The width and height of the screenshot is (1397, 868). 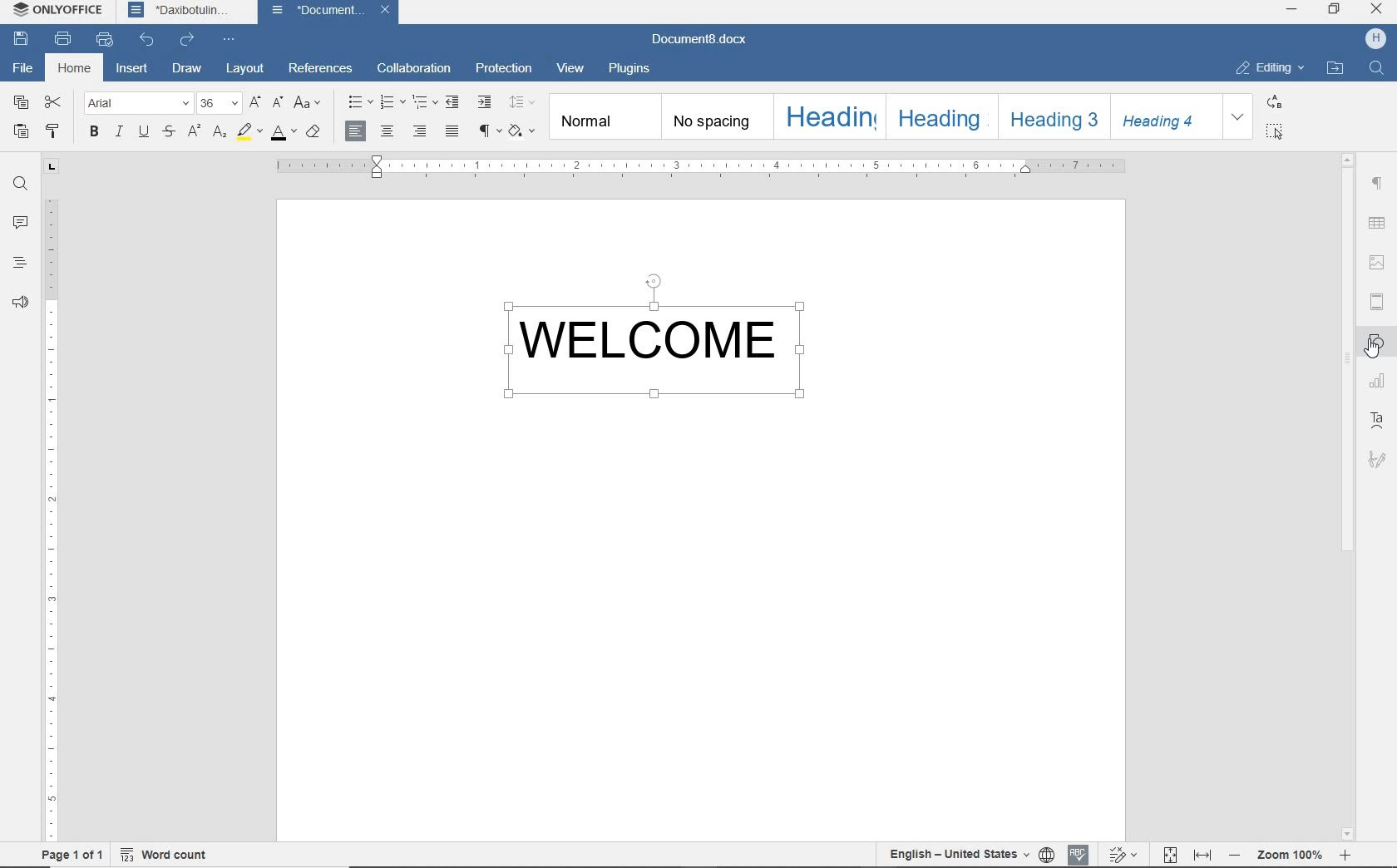 What do you see at coordinates (23, 68) in the screenshot?
I see `FILE` at bounding box center [23, 68].